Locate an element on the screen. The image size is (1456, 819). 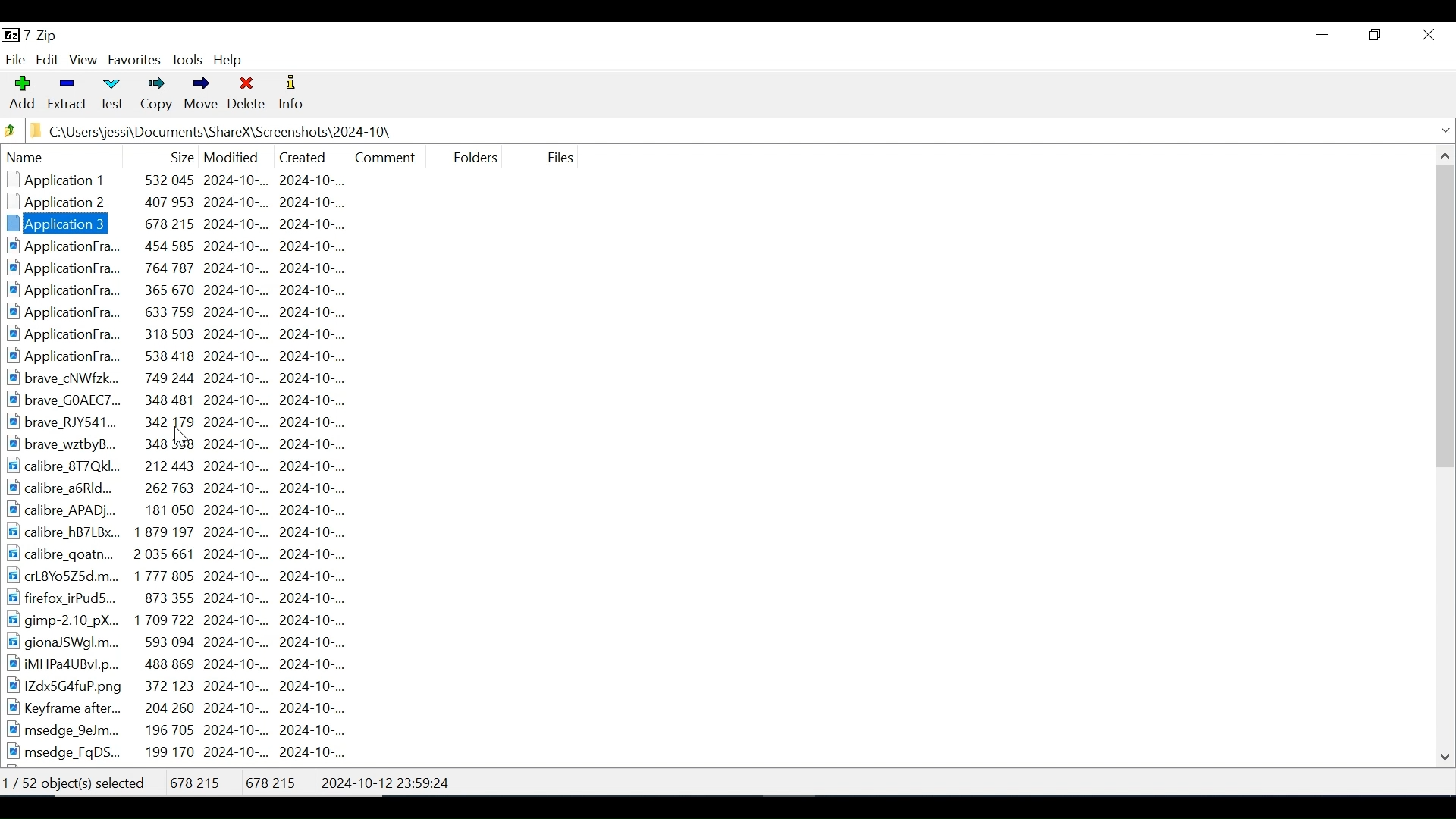
 1IZdx5G4fuP.png 372 123 2024-10-... 2024-10-.. is located at coordinates (180, 686).